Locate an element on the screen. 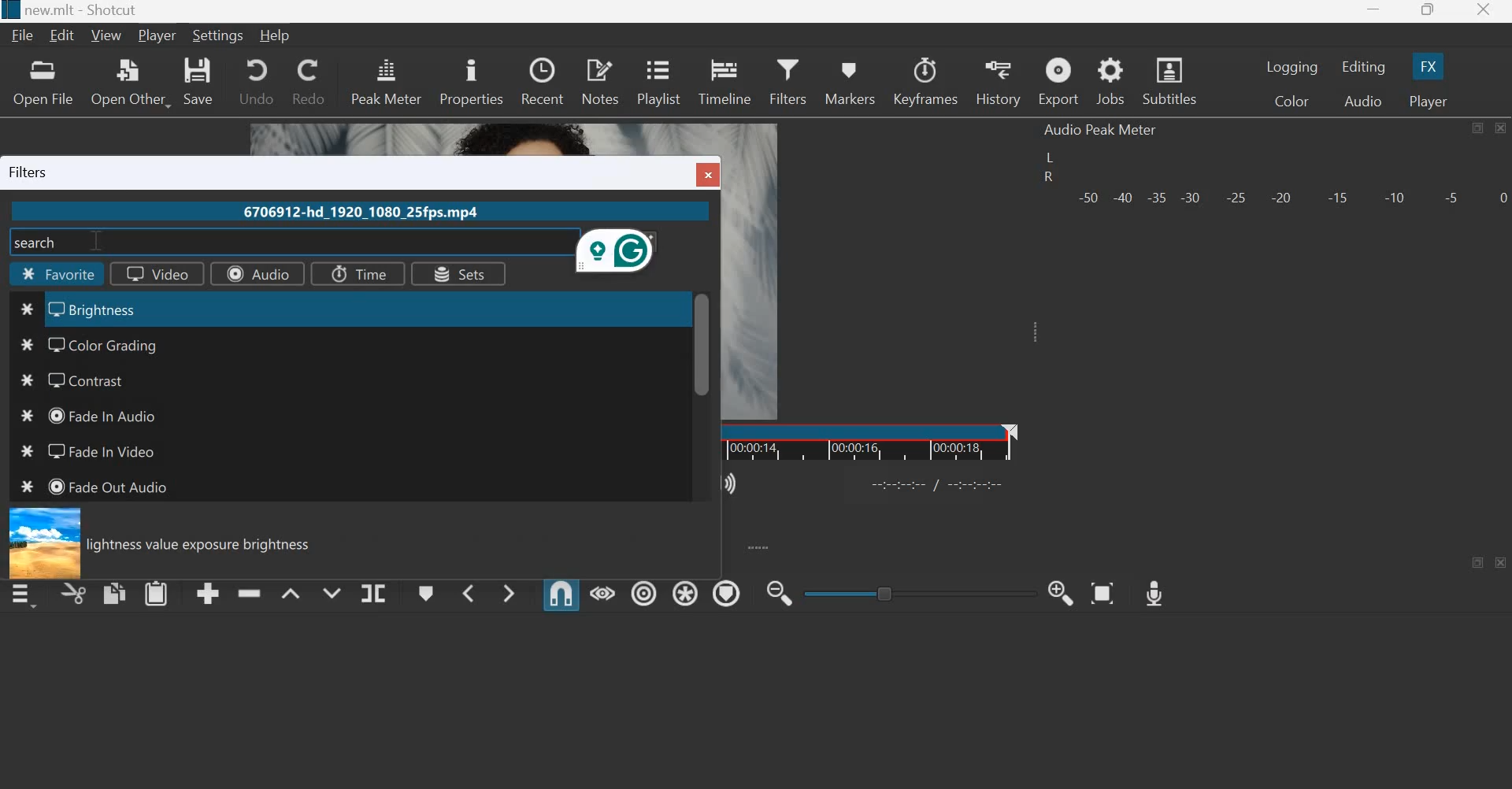   is located at coordinates (702, 344).